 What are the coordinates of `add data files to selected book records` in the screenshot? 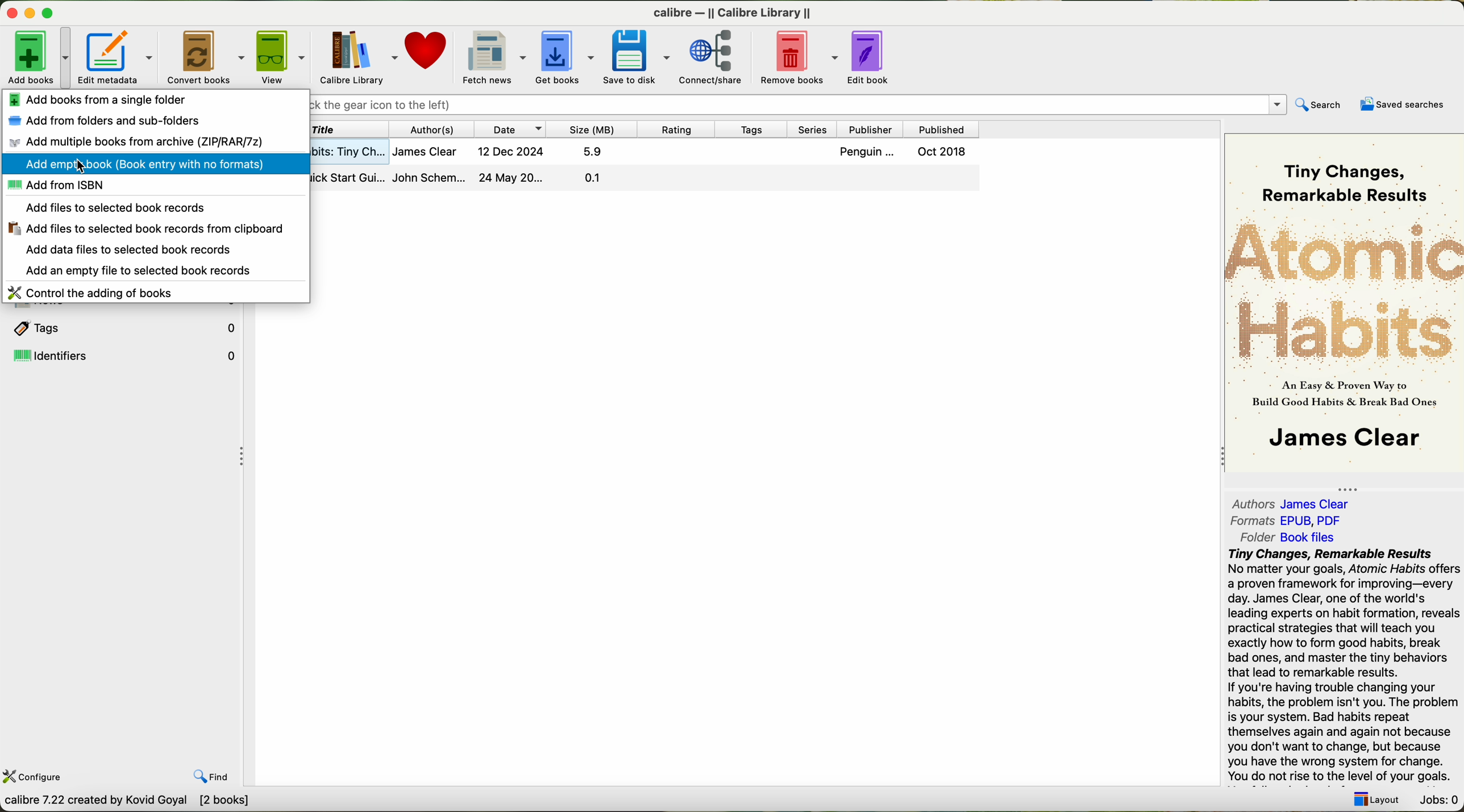 It's located at (130, 249).